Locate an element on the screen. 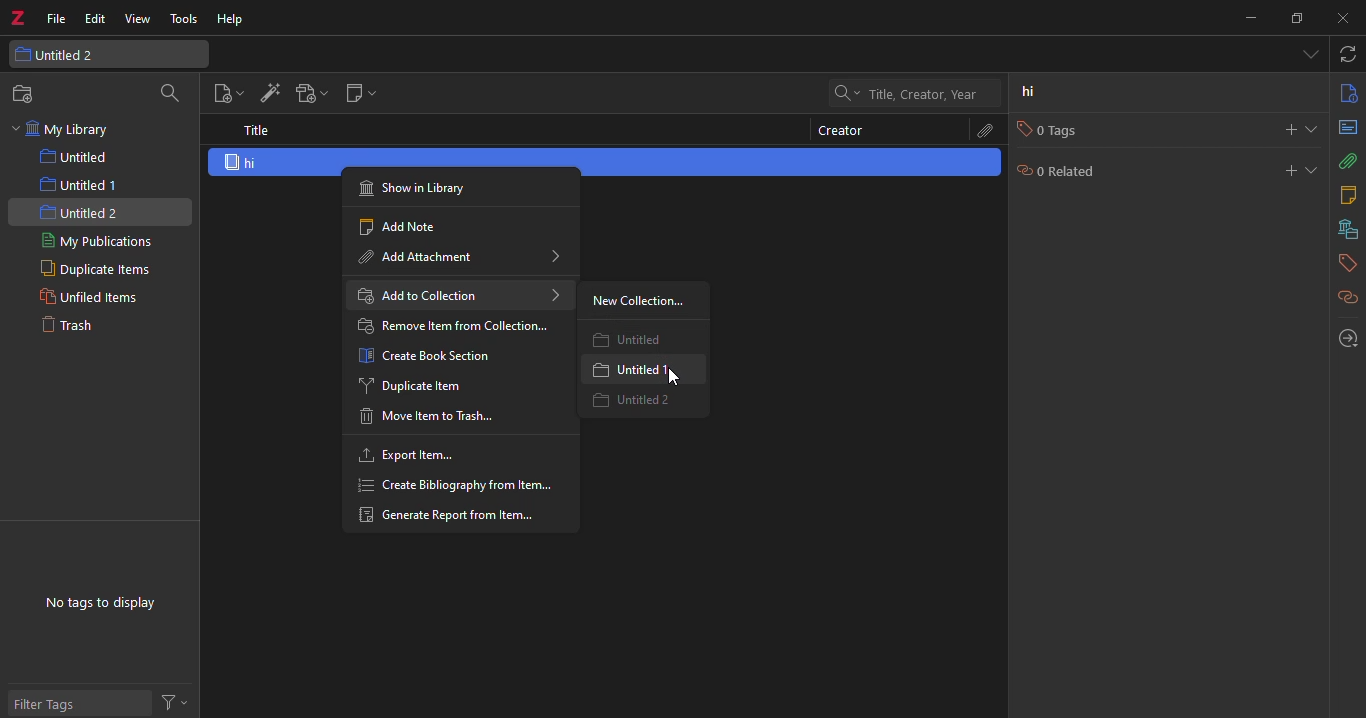  file is located at coordinates (55, 19).